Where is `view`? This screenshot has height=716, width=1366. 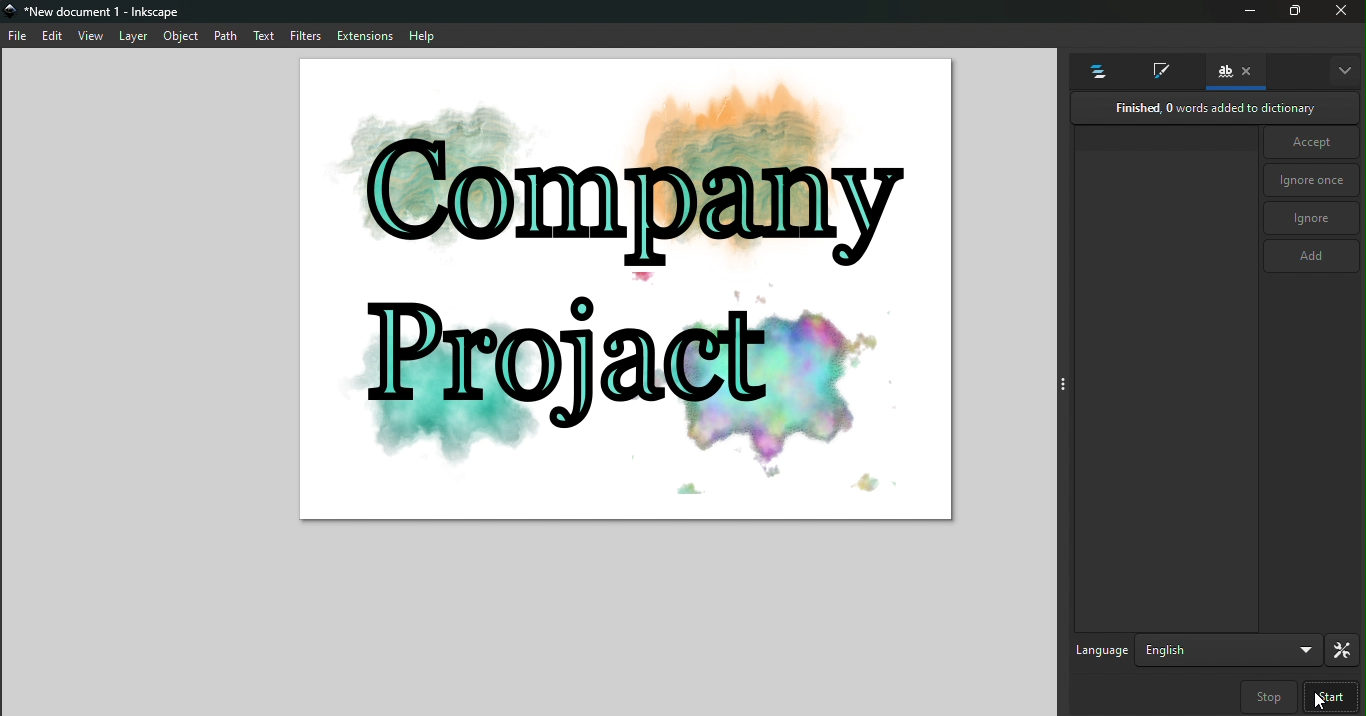
view is located at coordinates (92, 37).